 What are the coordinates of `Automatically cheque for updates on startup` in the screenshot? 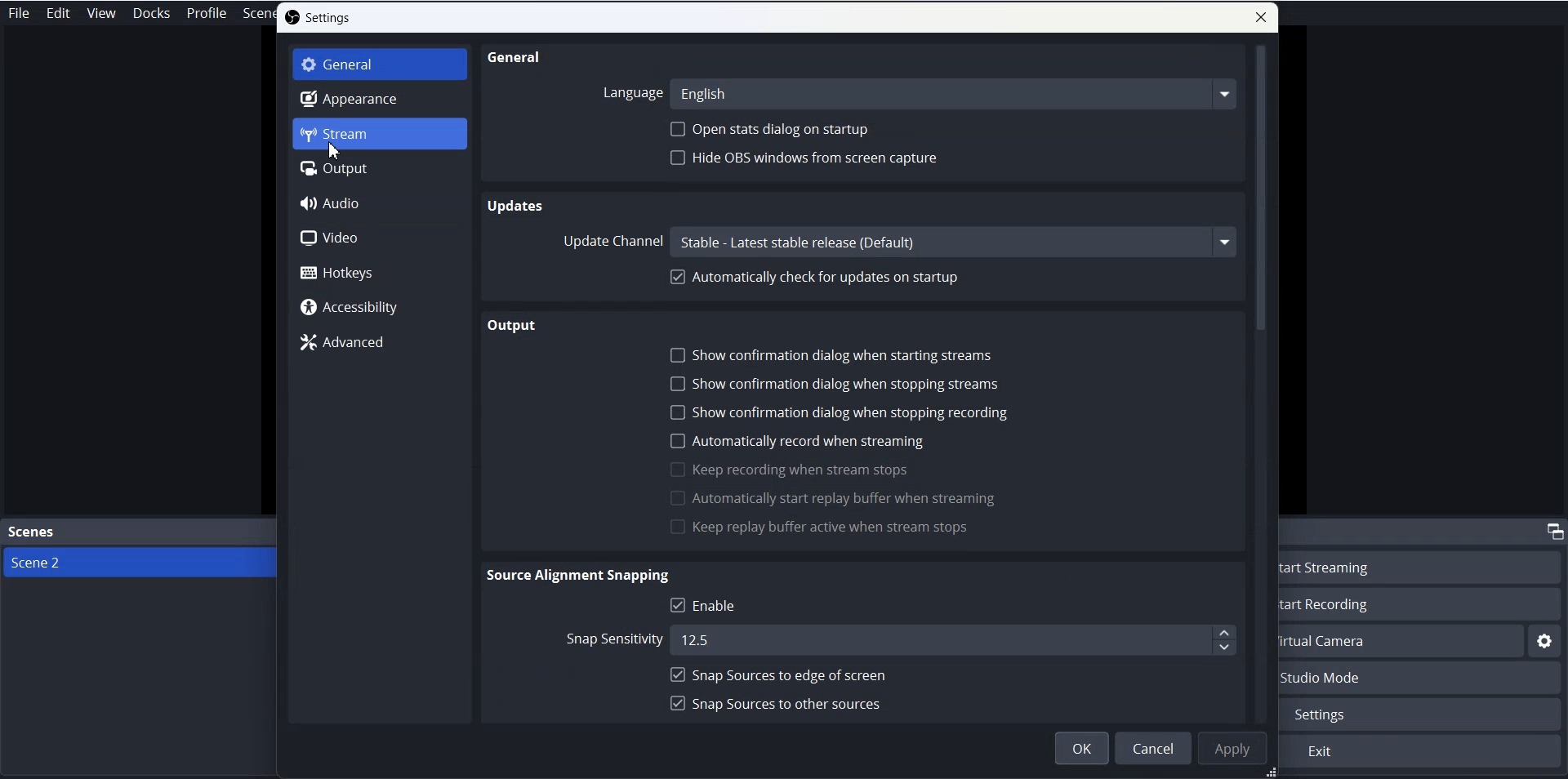 It's located at (819, 277).